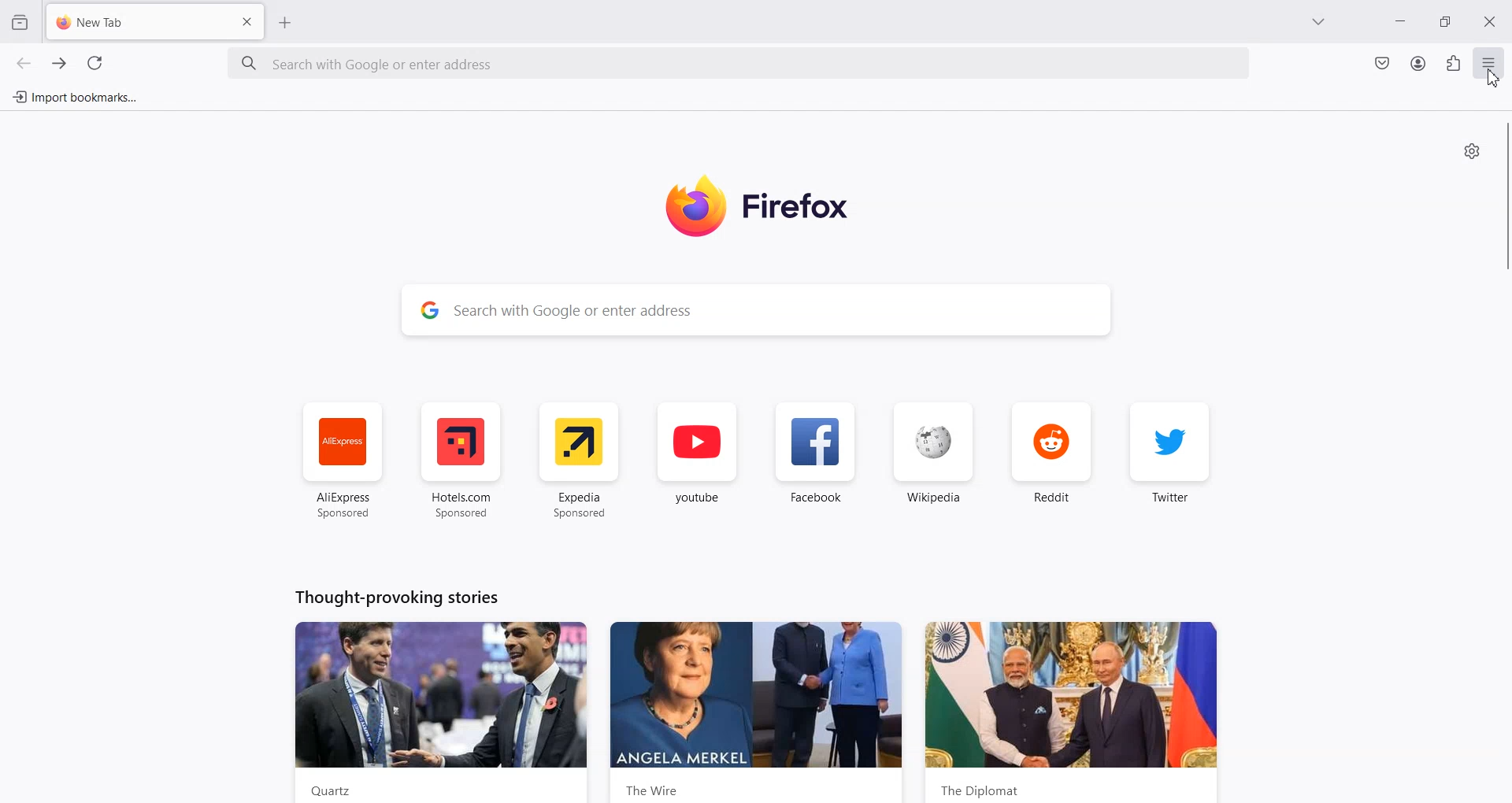  I want to click on Account, so click(1419, 63).